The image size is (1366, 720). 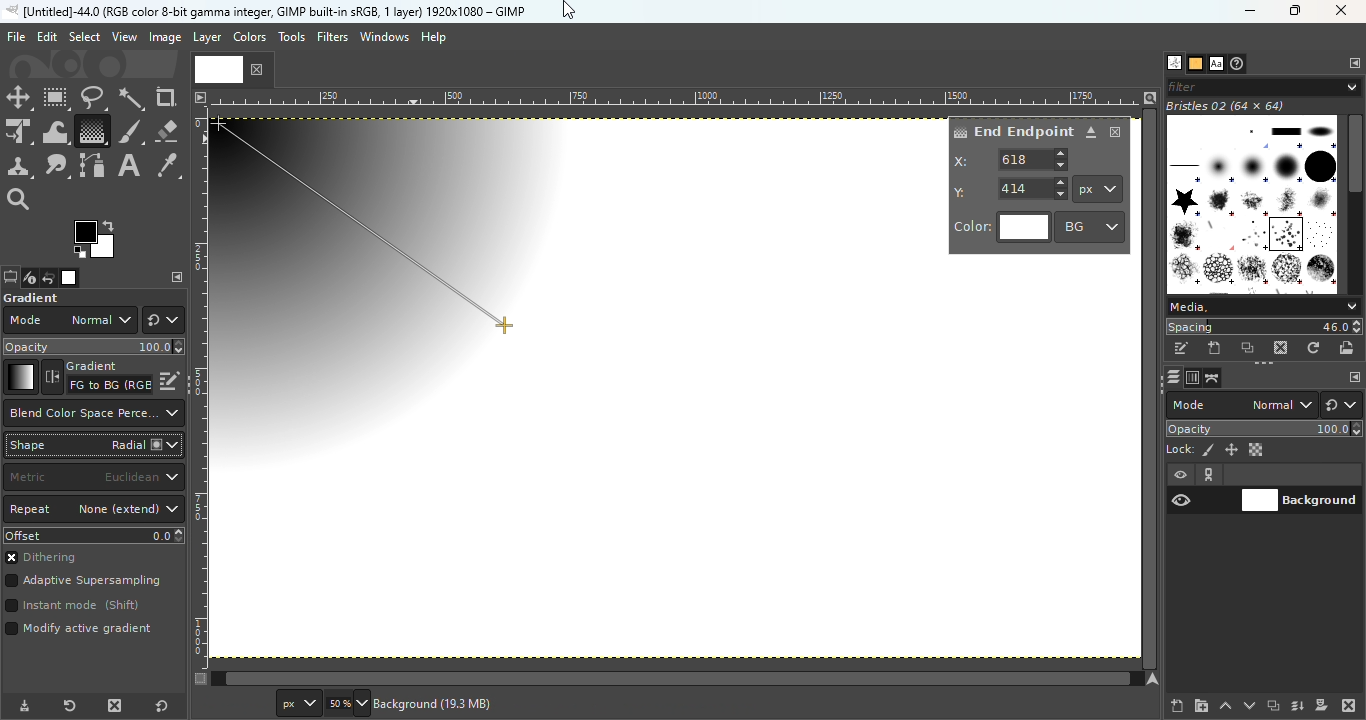 What do you see at coordinates (1266, 429) in the screenshot?
I see `Opacity` at bounding box center [1266, 429].